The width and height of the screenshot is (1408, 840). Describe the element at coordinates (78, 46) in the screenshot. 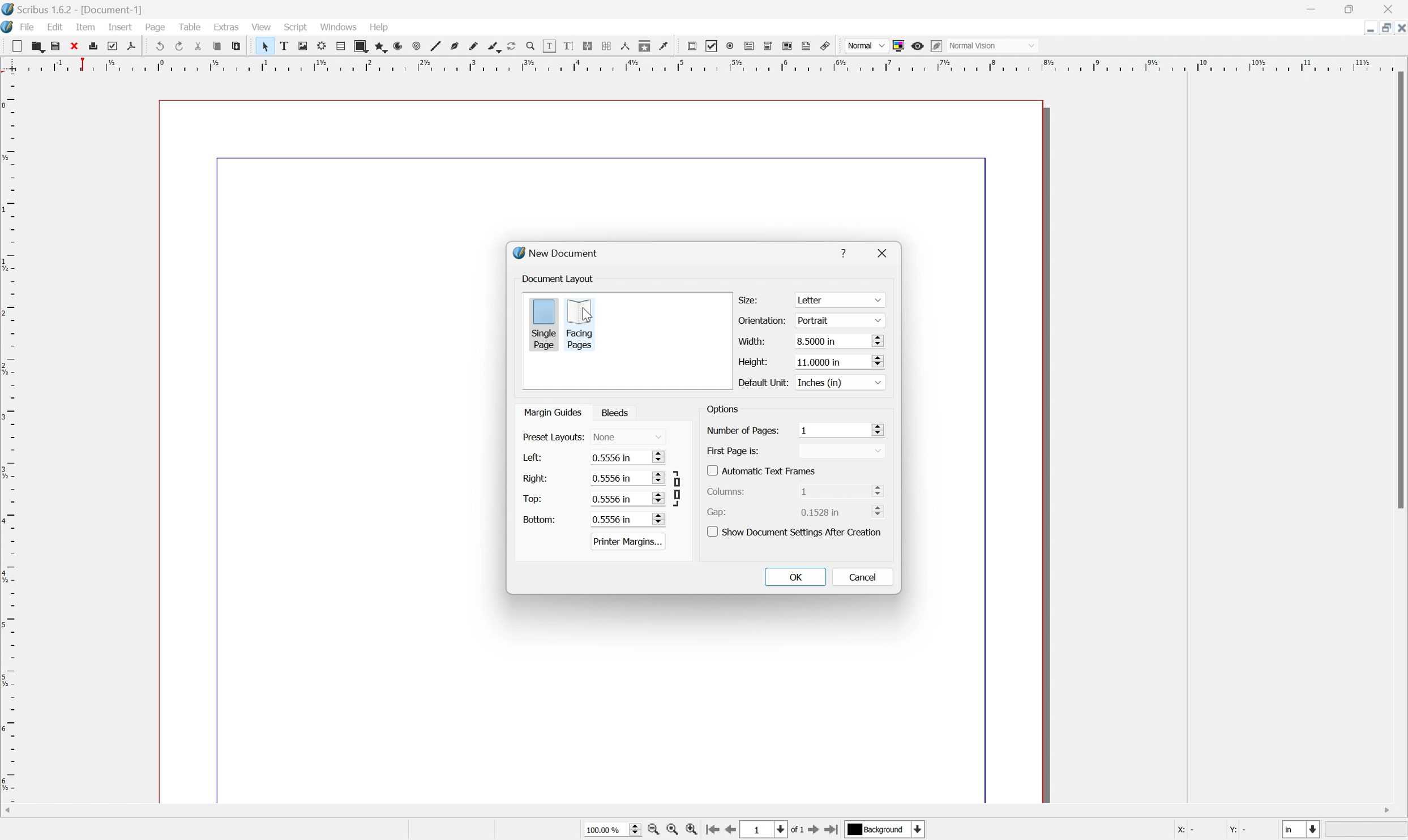

I see `Close` at that location.